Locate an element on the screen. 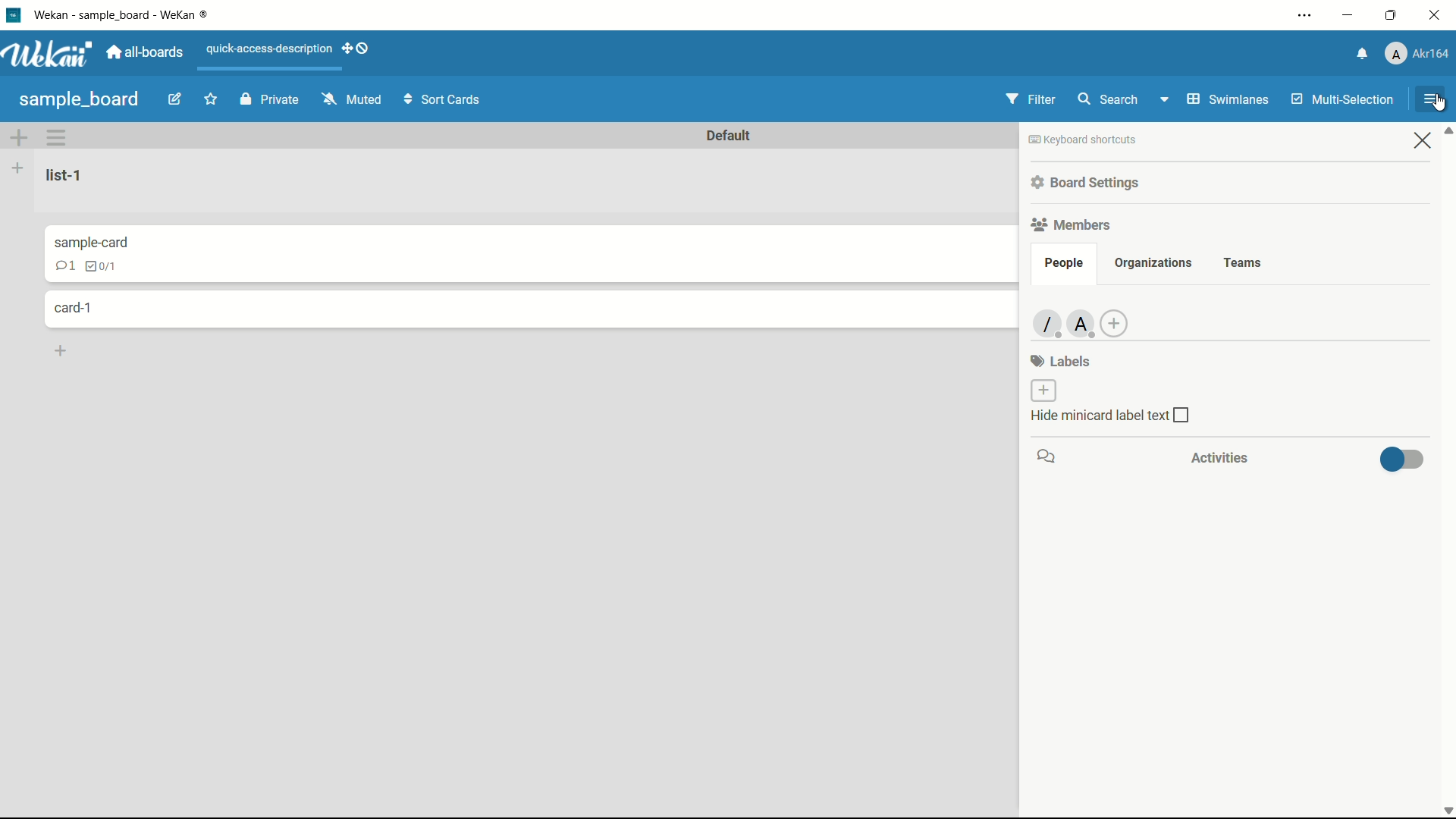  multi-selection is located at coordinates (1341, 101).